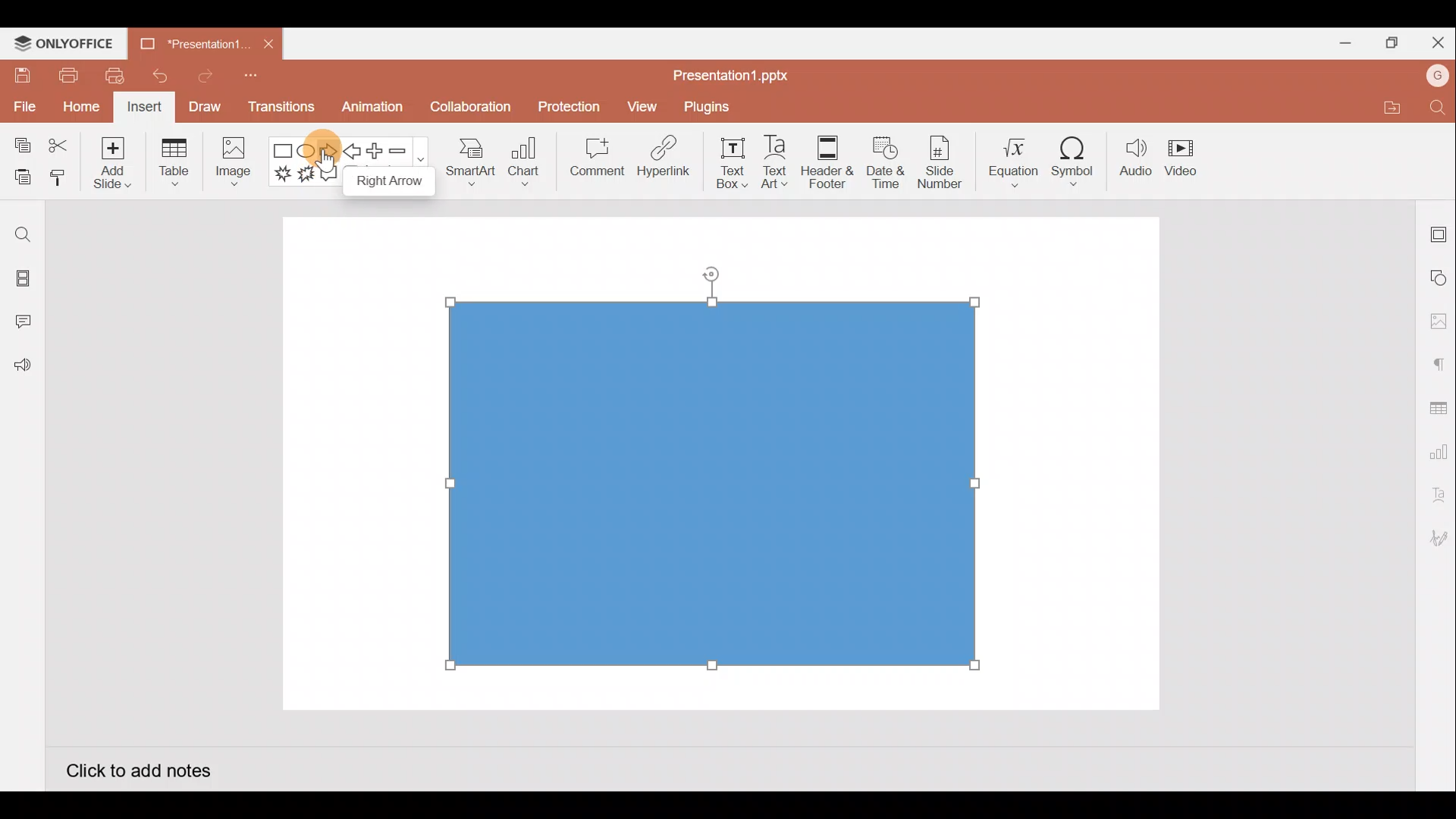  What do you see at coordinates (711, 480) in the screenshot?
I see `Inserted rectangle shape on presentation slide` at bounding box center [711, 480].